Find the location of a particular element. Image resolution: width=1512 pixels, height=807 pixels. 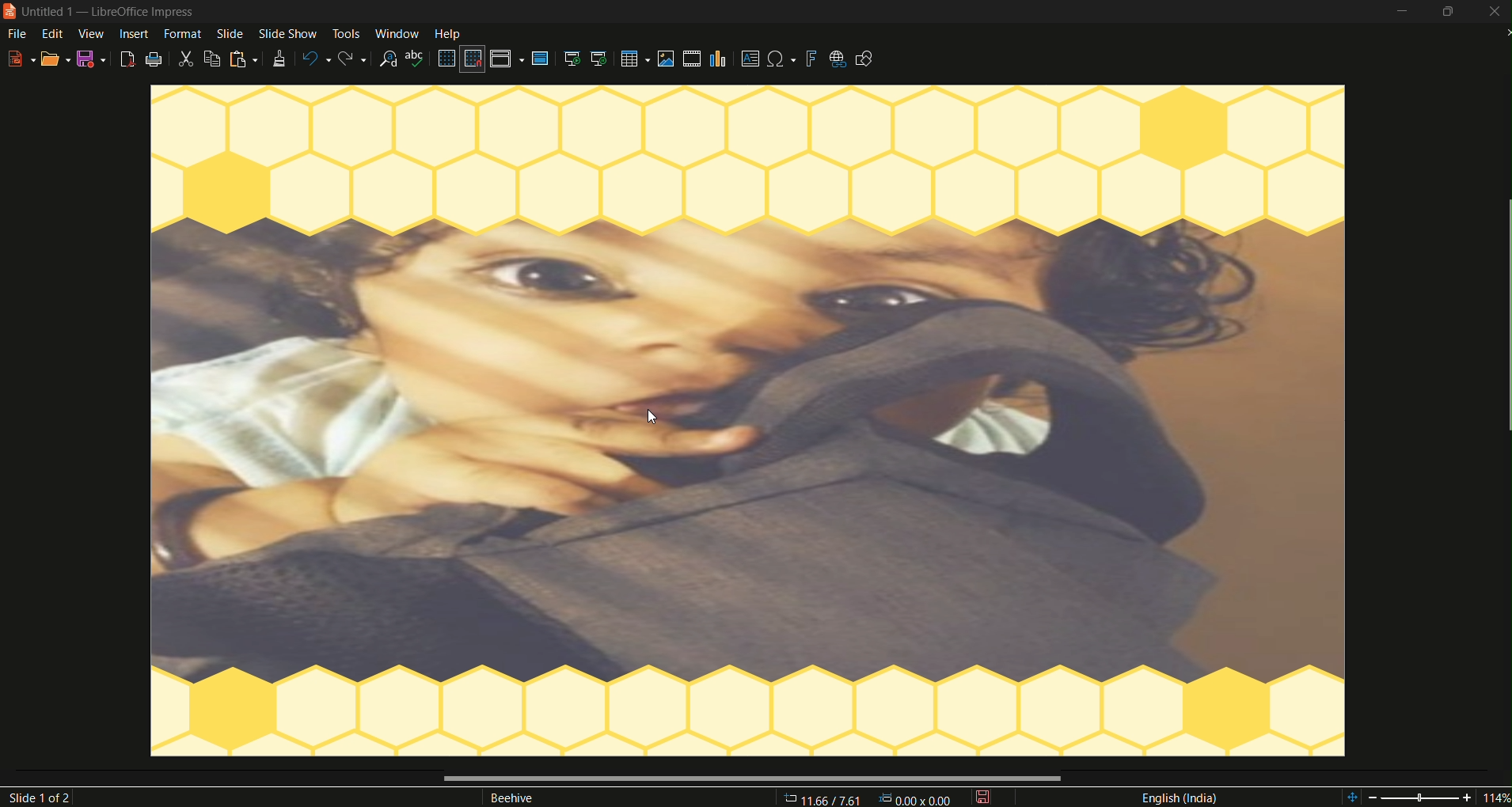

start from the first slide is located at coordinates (572, 59).